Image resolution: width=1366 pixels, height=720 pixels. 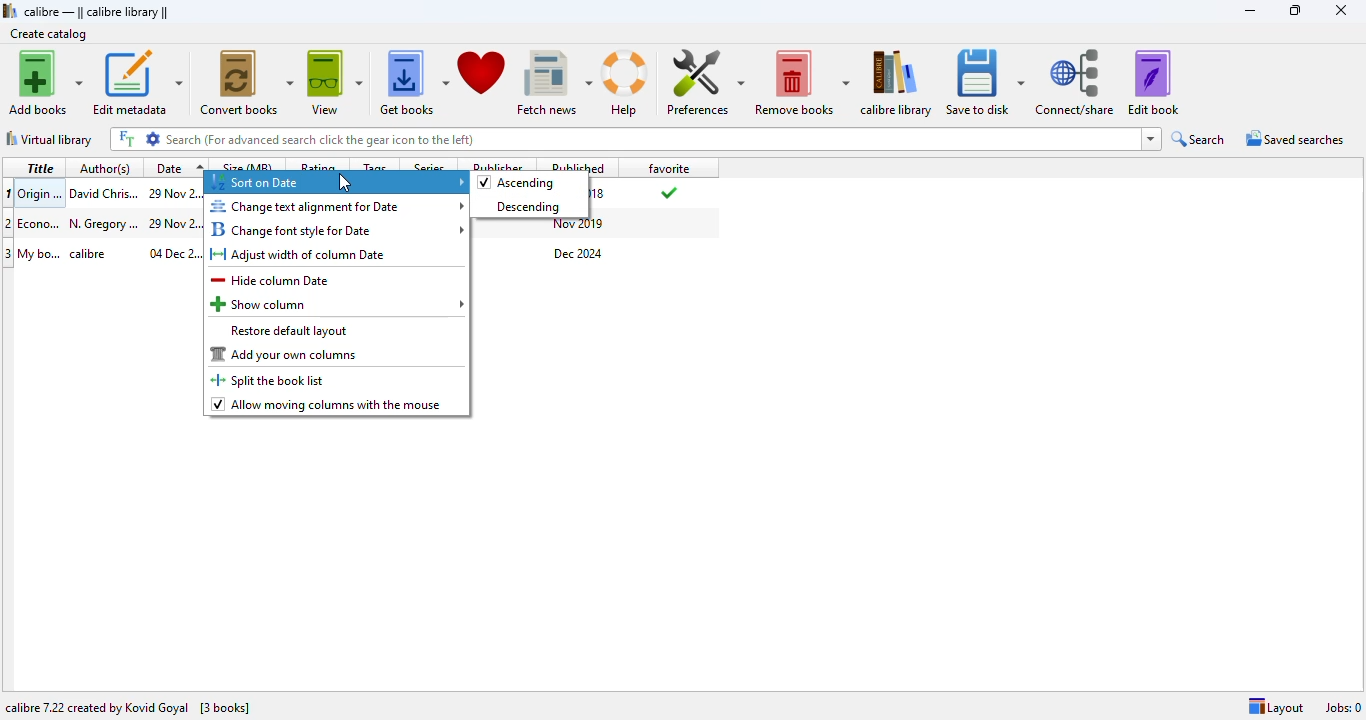 What do you see at coordinates (601, 194) in the screenshot?
I see `publish date` at bounding box center [601, 194].